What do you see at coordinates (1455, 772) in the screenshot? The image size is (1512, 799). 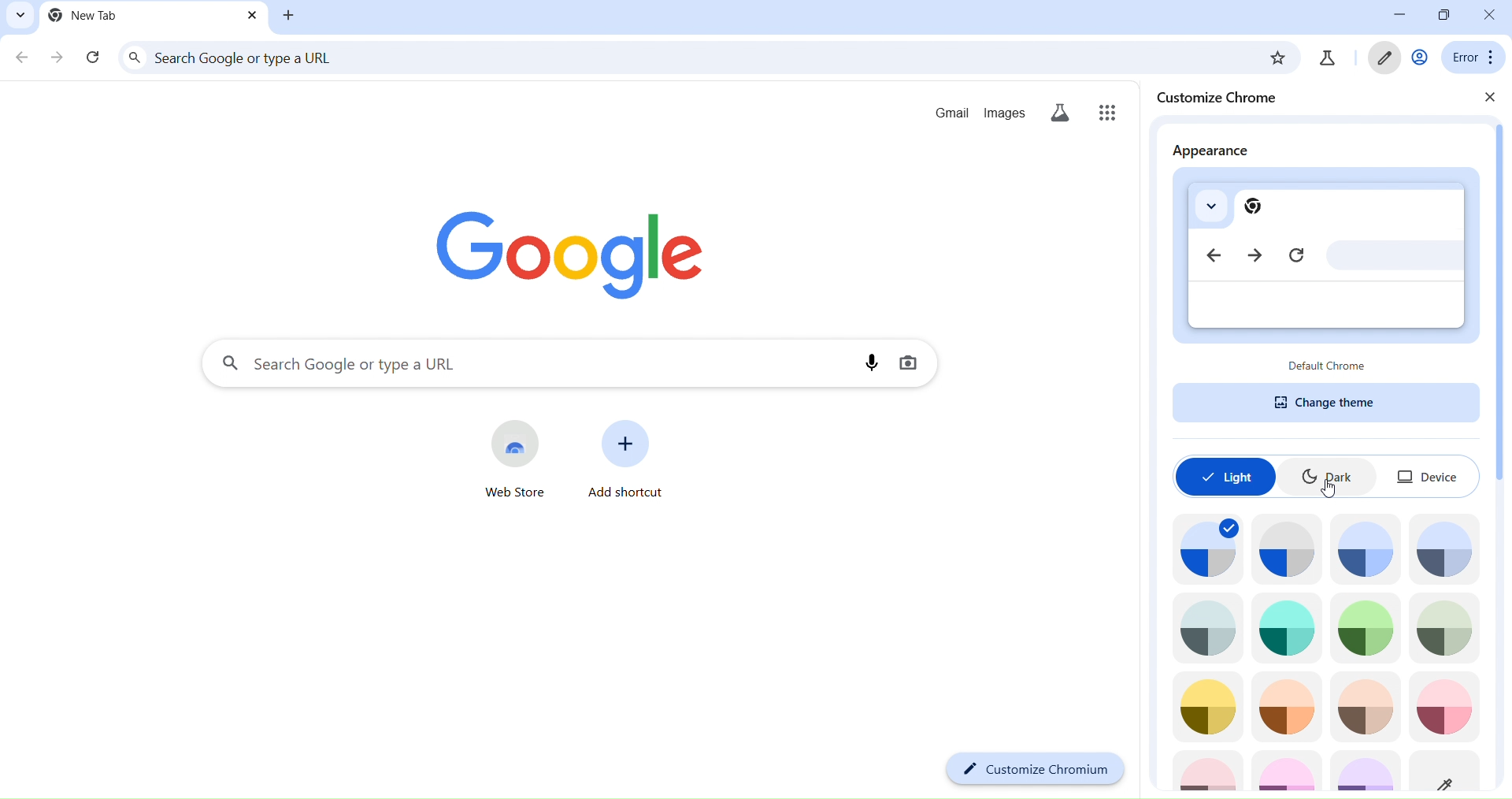 I see `theme icon` at bounding box center [1455, 772].